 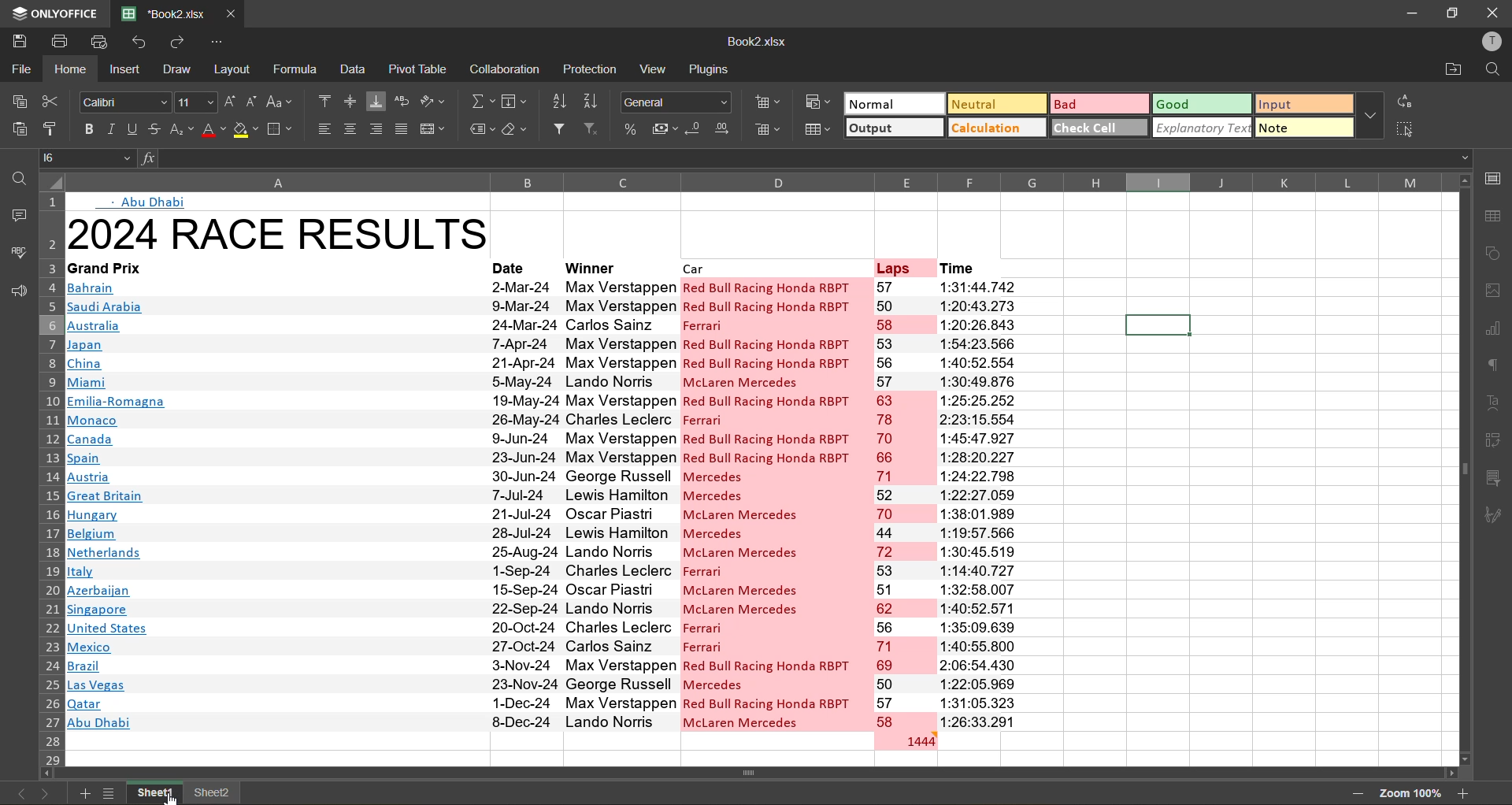 I want to click on find, so click(x=16, y=173).